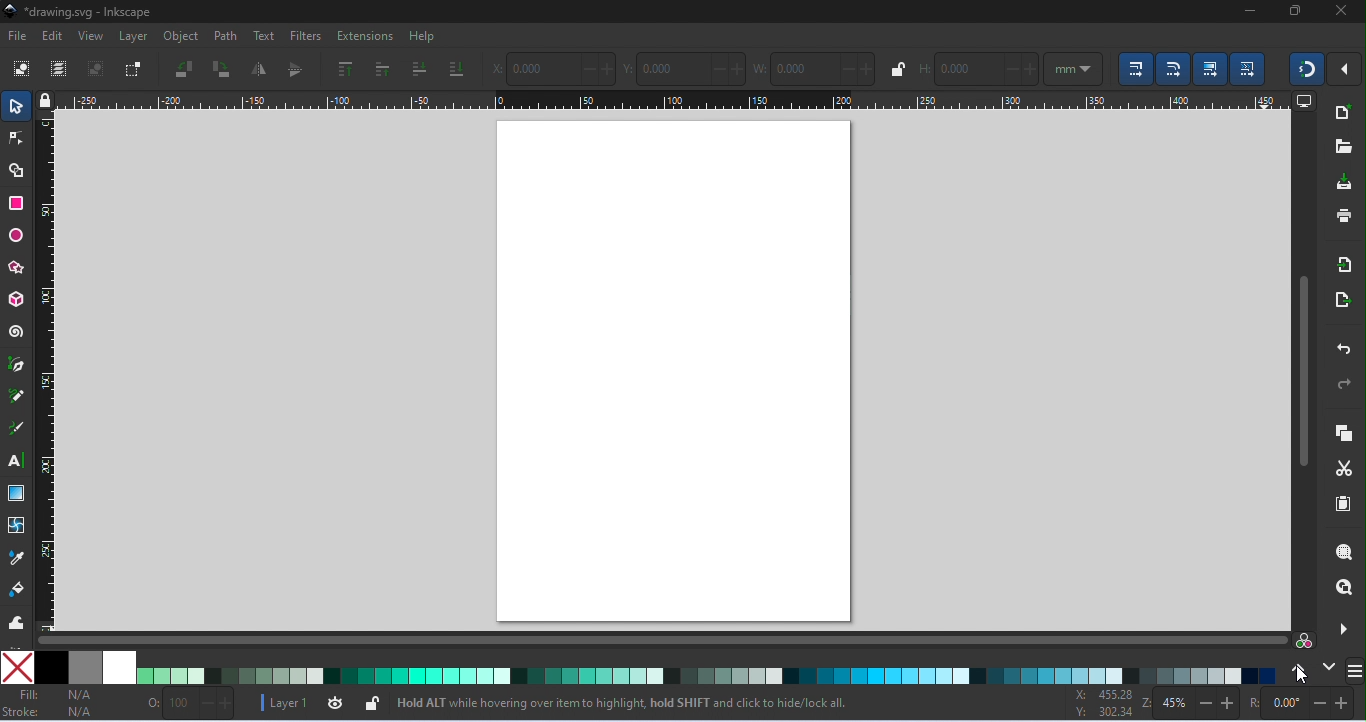 The width and height of the screenshot is (1366, 722). Describe the element at coordinates (1355, 671) in the screenshot. I see `different OS options` at that location.